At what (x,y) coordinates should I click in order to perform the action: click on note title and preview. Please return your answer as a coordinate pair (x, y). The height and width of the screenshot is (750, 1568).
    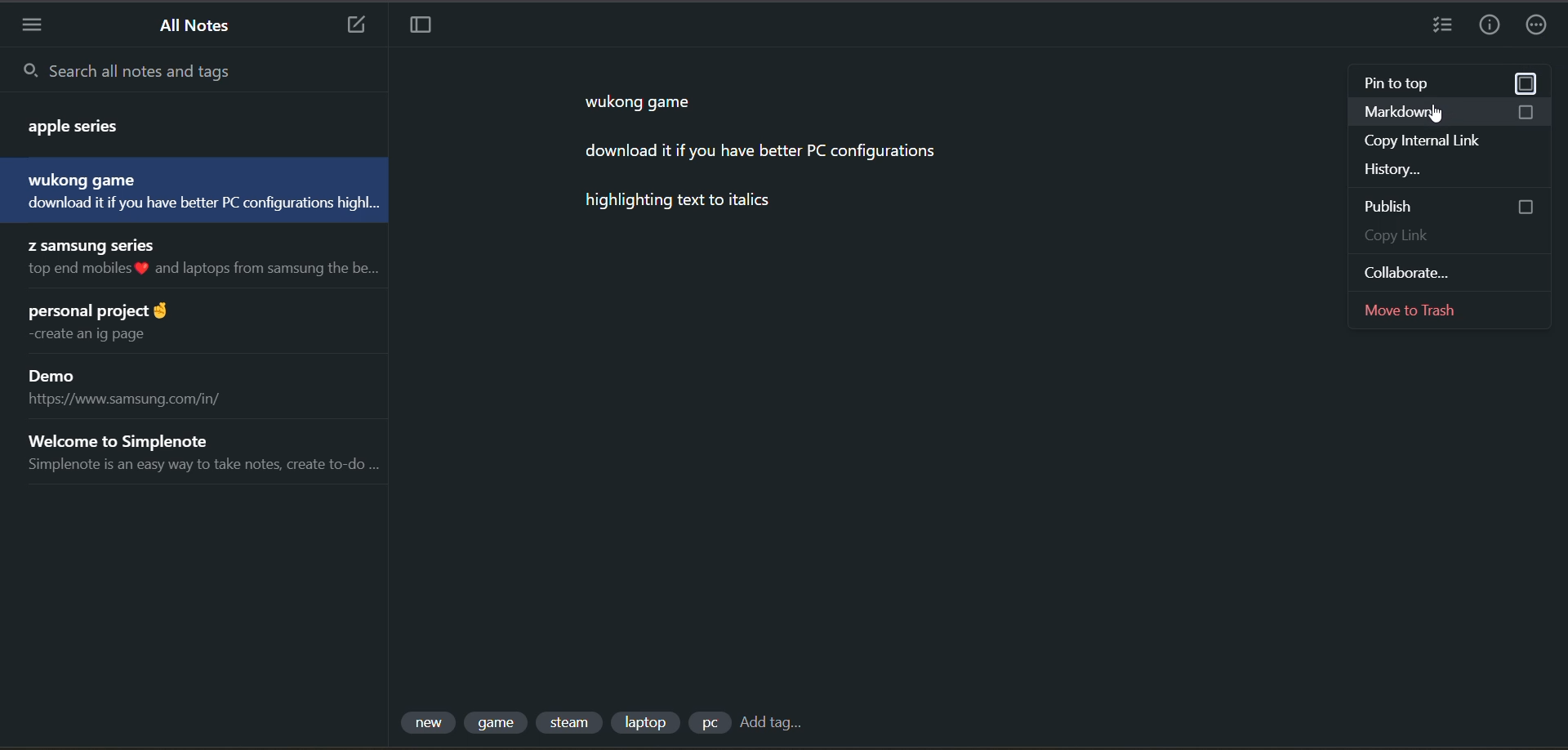
    Looking at the image, I should click on (209, 261).